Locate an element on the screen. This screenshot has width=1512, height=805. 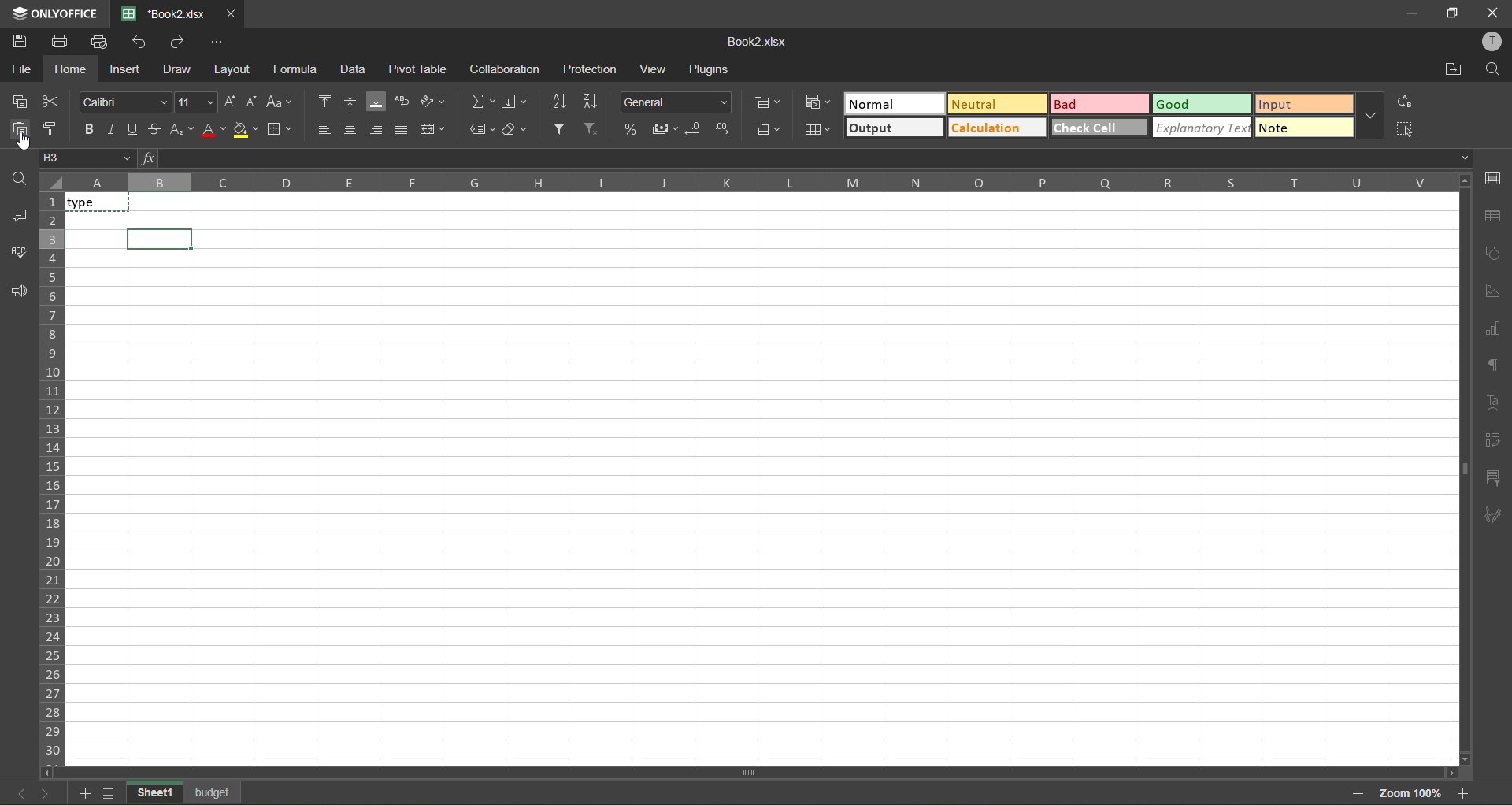
font color is located at coordinates (214, 130).